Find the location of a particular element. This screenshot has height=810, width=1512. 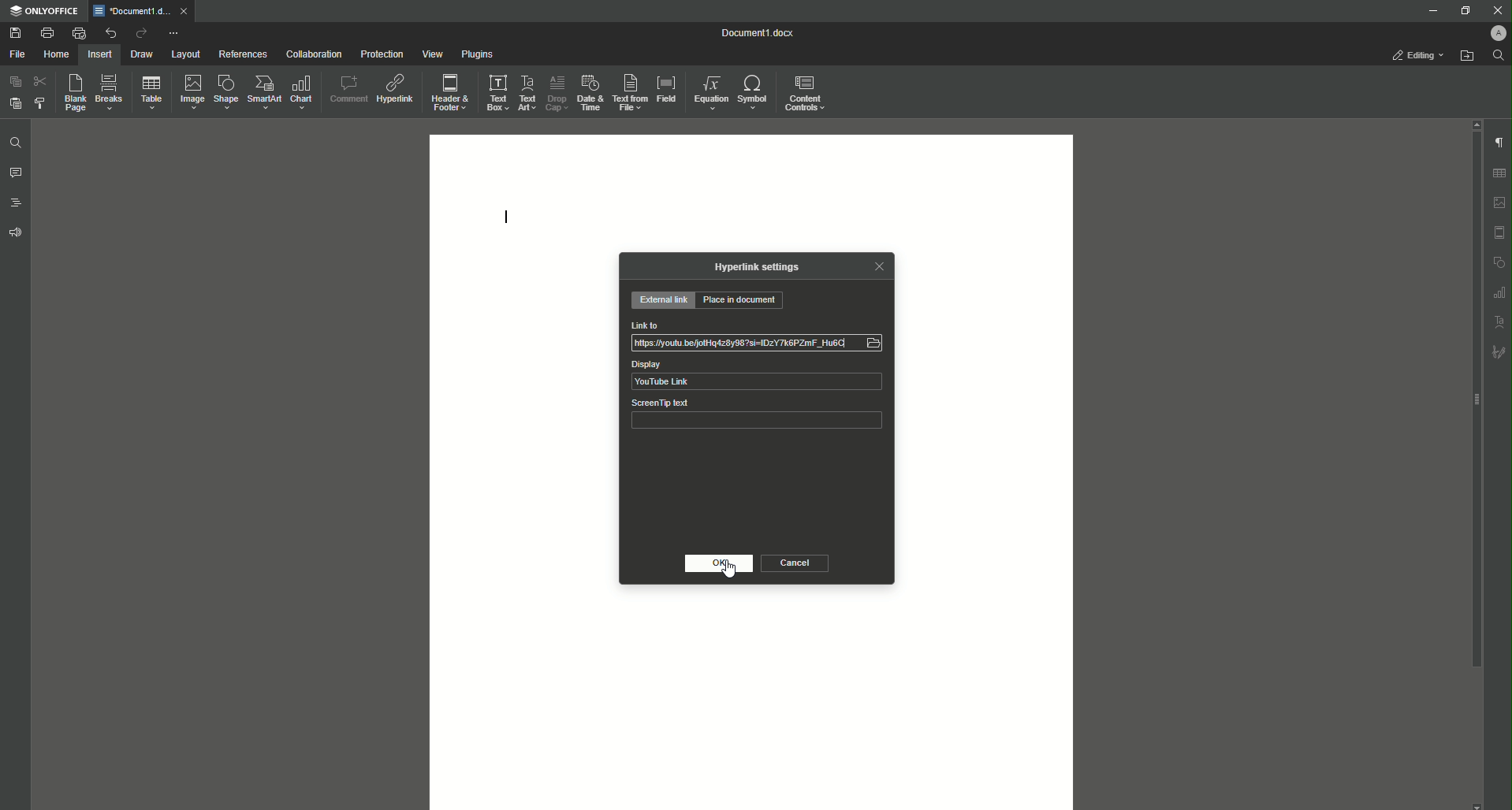

Link to is located at coordinates (645, 324).